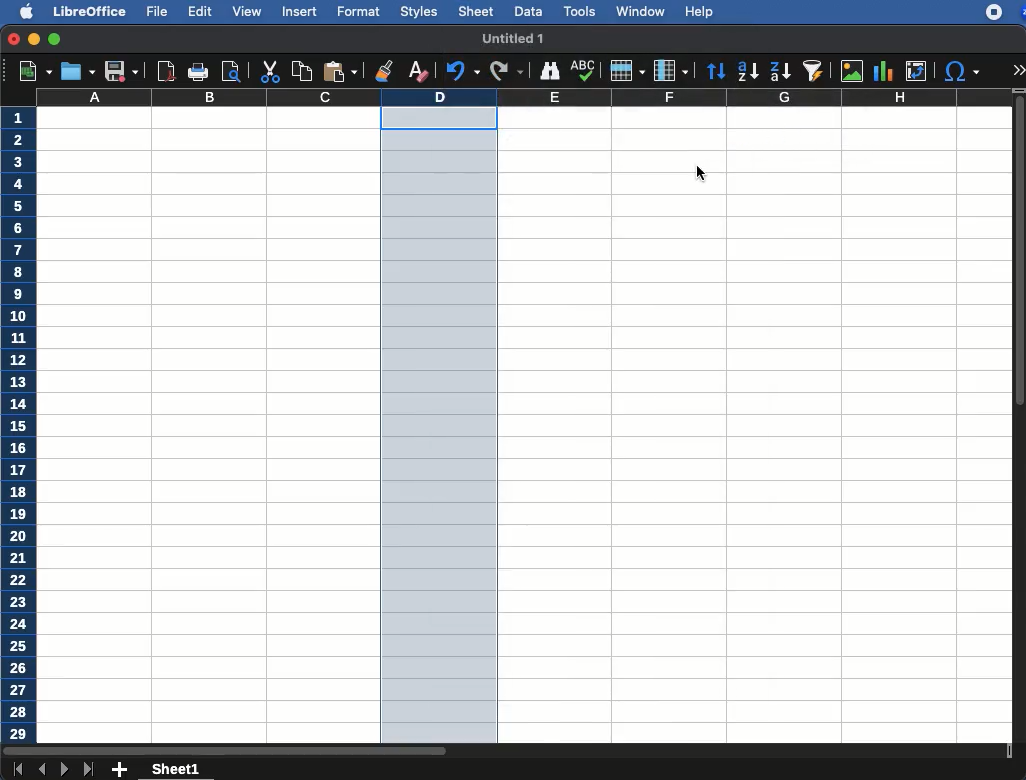 The height and width of the screenshot is (780, 1026). Describe the element at coordinates (512, 37) in the screenshot. I see `untitled 1` at that location.